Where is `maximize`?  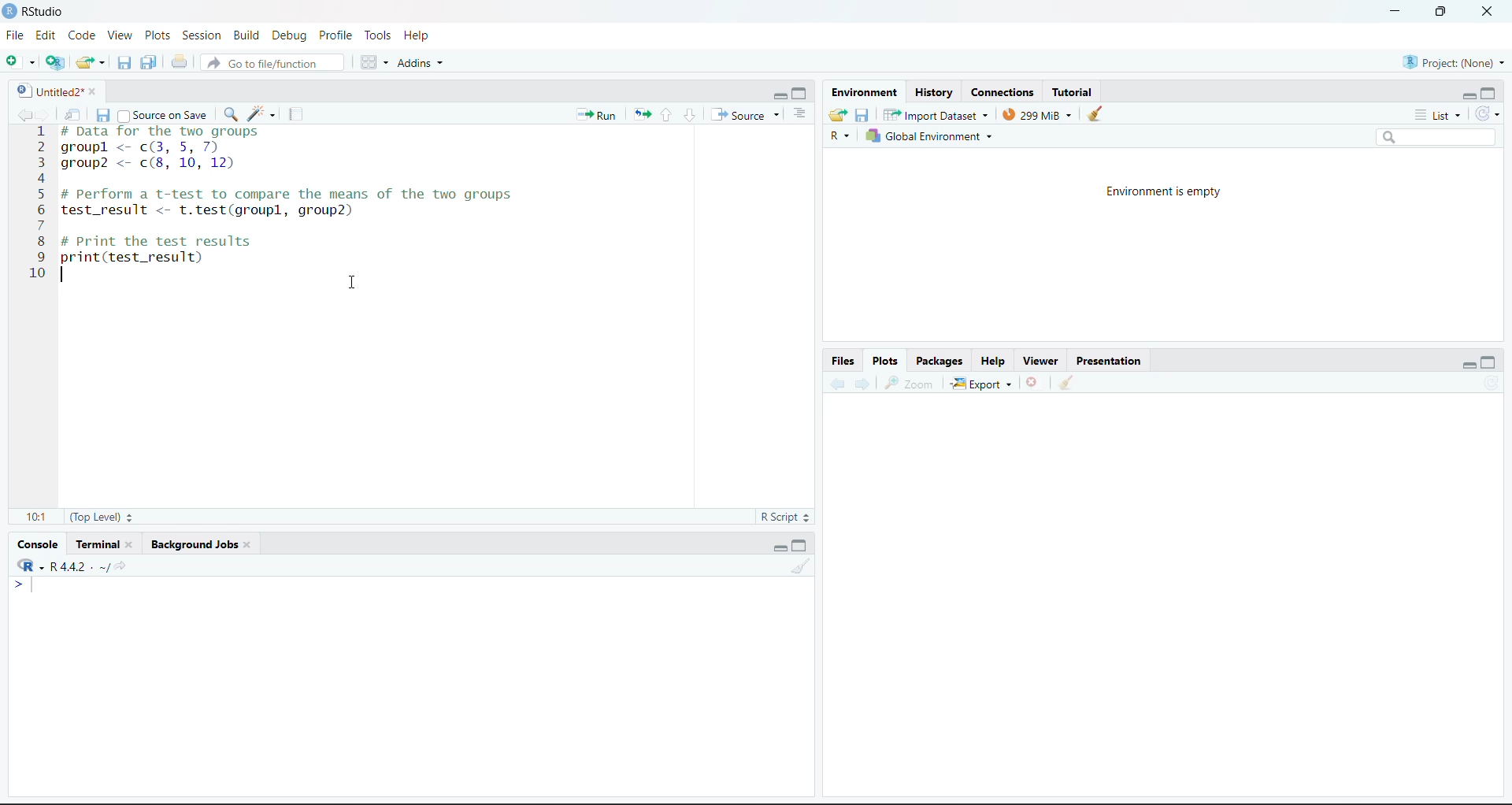
maximize is located at coordinates (1488, 95).